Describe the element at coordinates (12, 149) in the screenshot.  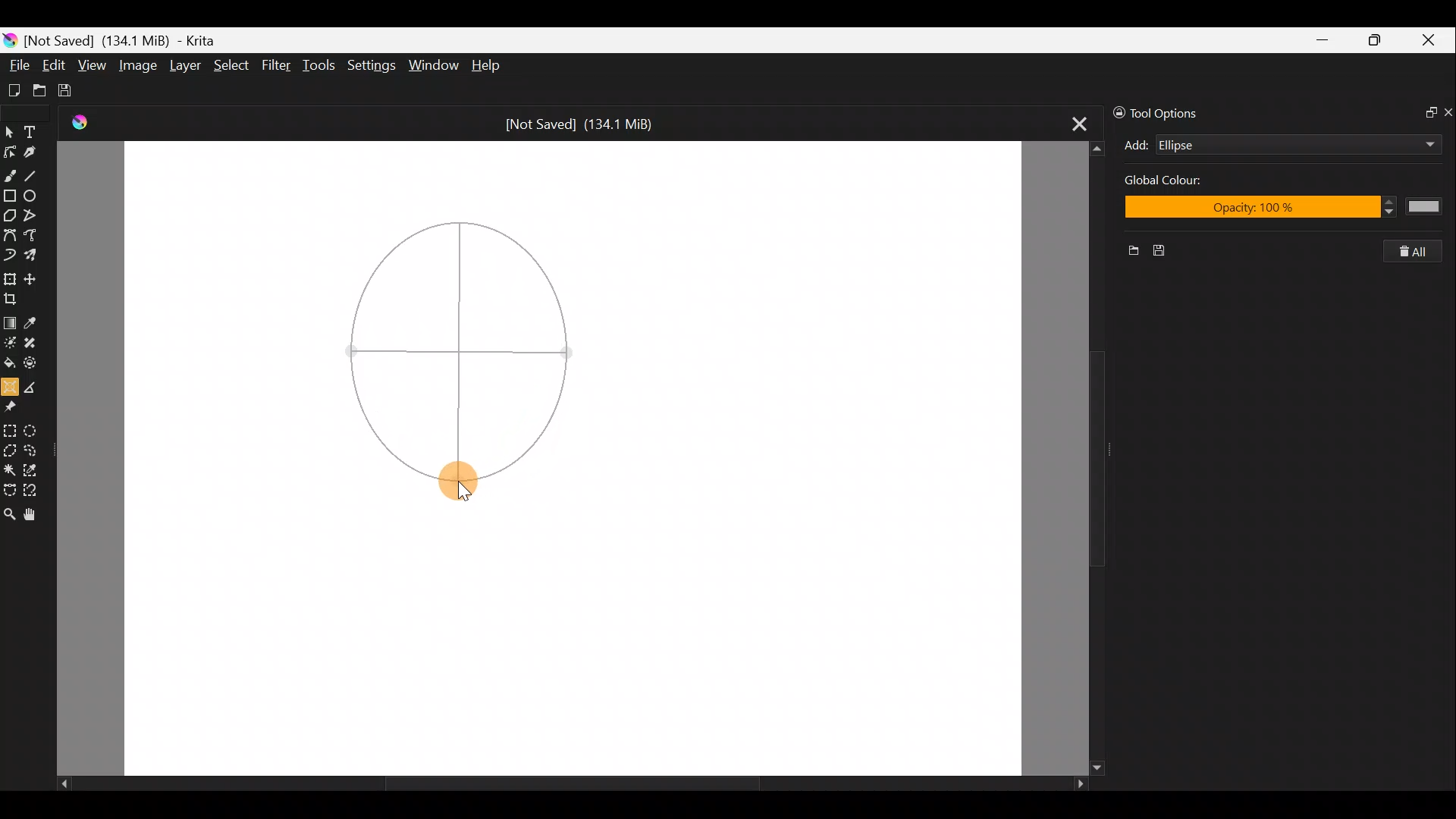
I see `Edit shapes tool` at that location.